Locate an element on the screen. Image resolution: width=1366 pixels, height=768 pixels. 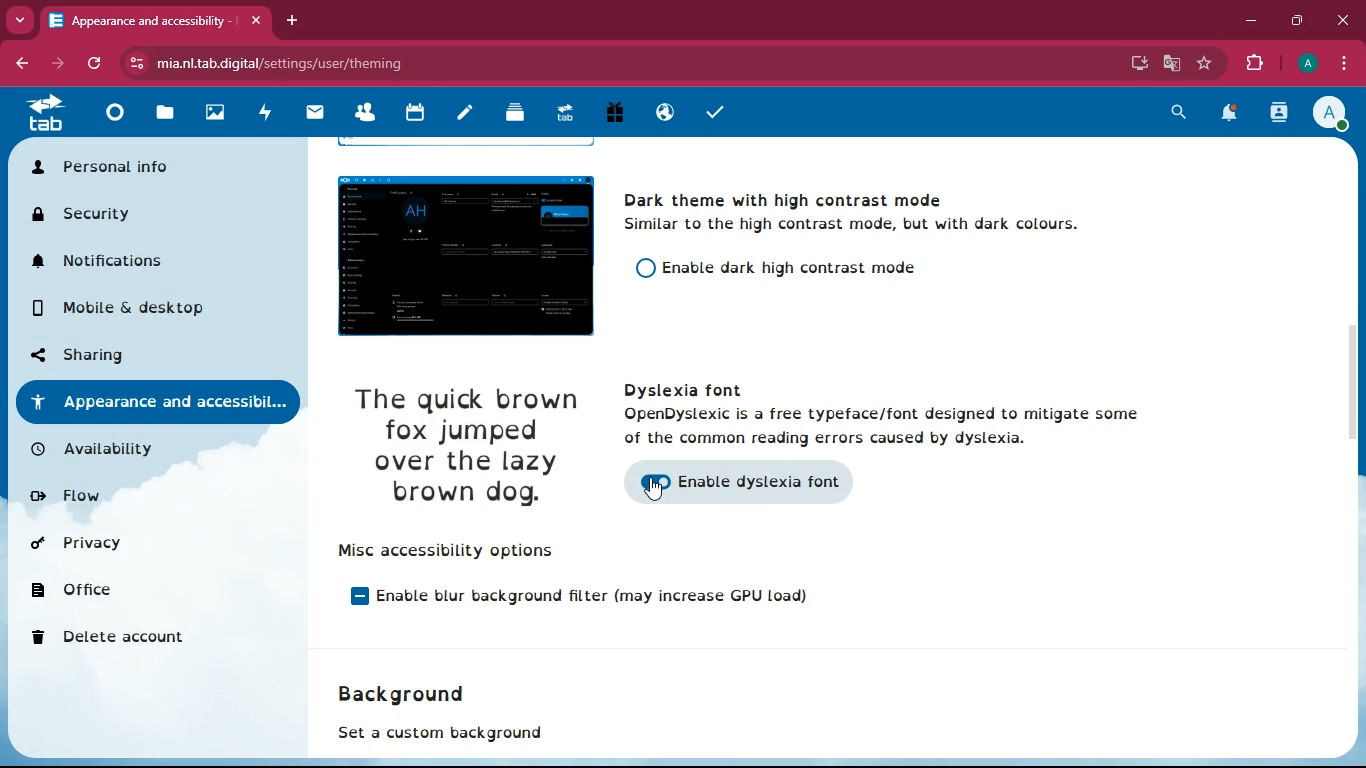
profile is located at coordinates (1307, 63).